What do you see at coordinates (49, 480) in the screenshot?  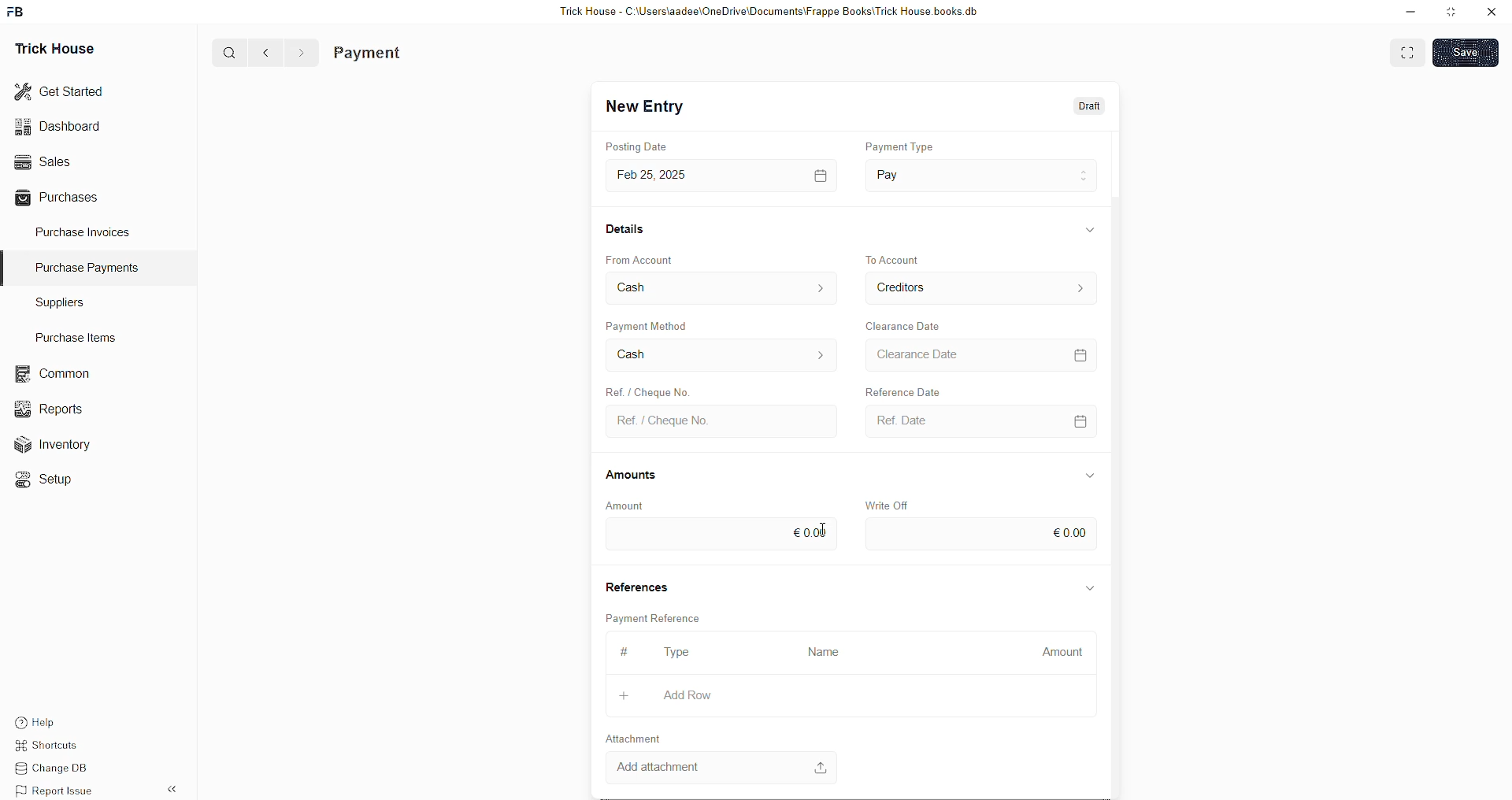 I see `«© Setup` at bounding box center [49, 480].